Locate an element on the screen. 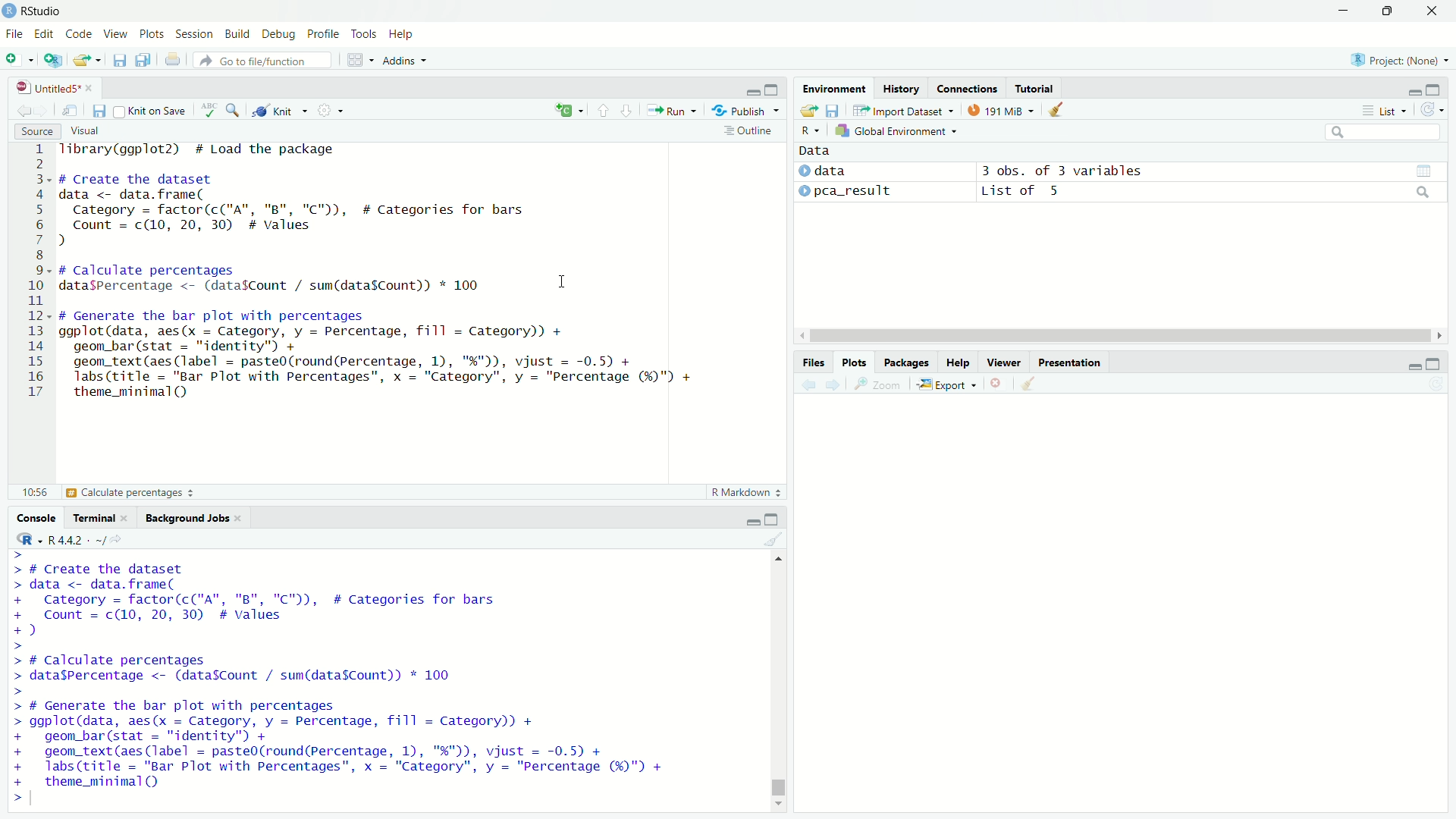  show in new window is located at coordinates (71, 111).